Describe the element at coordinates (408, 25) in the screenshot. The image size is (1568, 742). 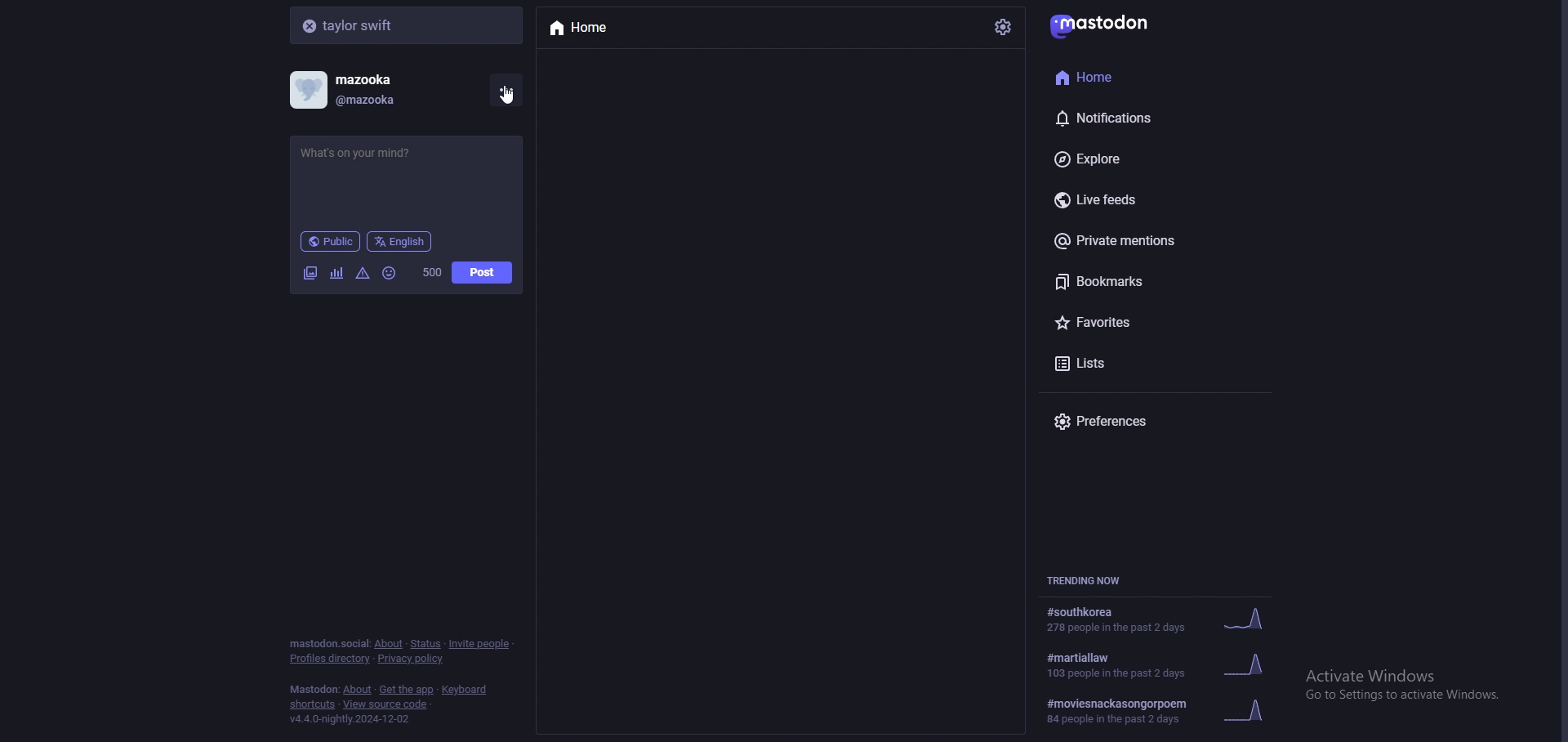
I see `search bar` at that location.